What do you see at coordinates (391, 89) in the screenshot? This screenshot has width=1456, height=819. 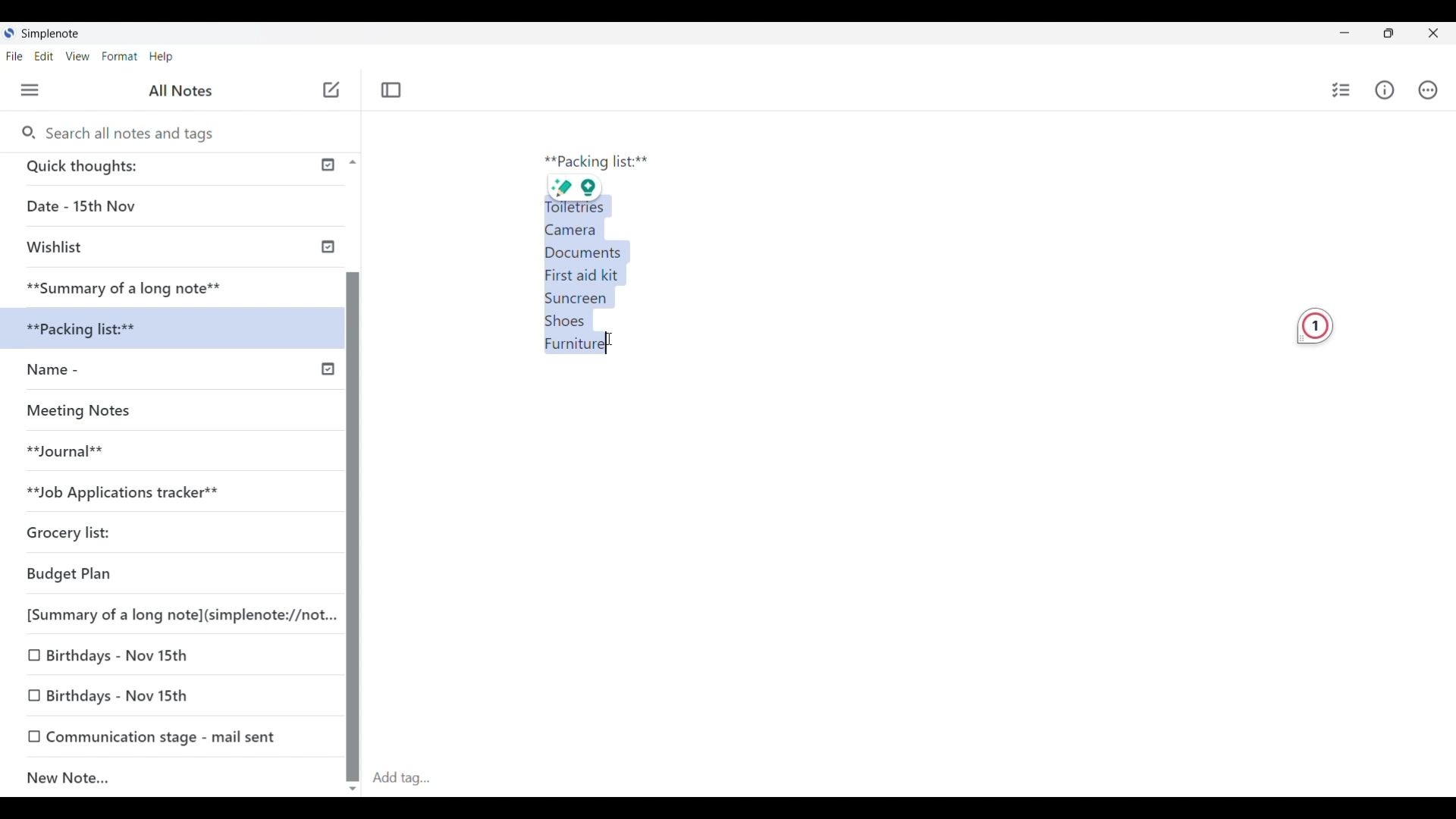 I see `Toggle focus mode` at bounding box center [391, 89].